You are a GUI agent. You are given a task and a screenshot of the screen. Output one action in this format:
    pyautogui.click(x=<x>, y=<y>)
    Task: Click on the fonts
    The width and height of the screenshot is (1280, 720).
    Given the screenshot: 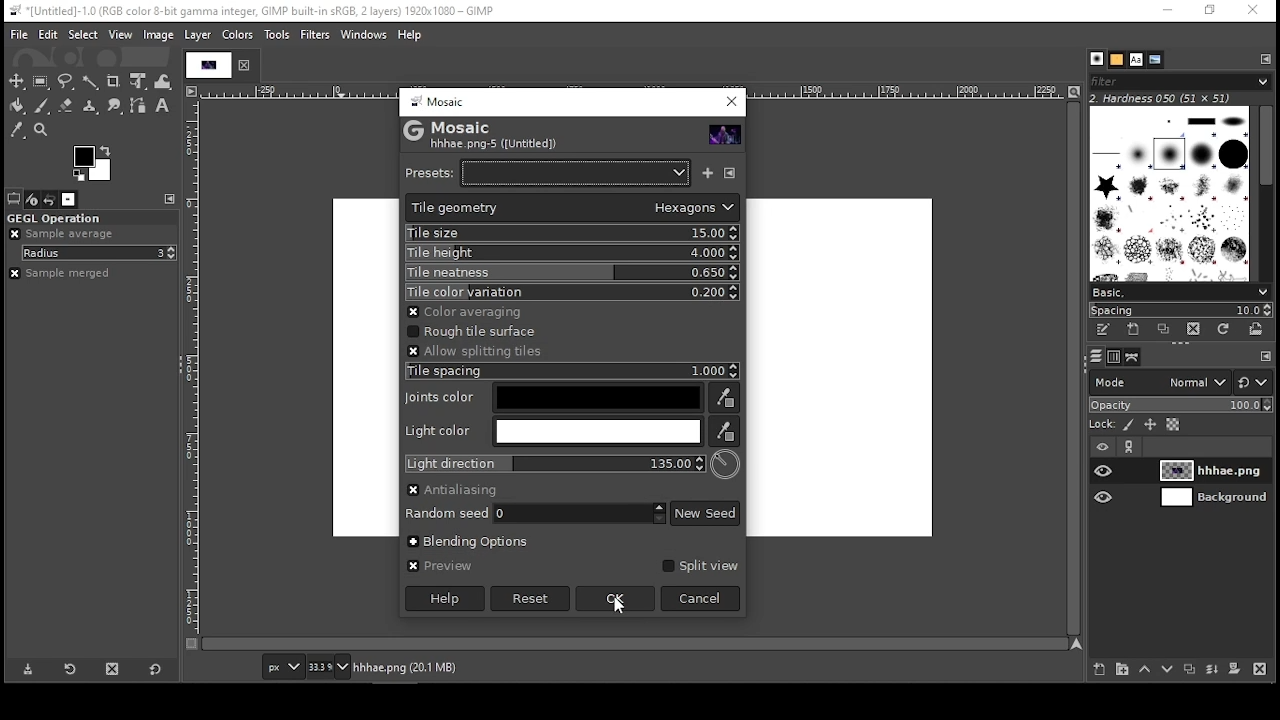 What is the action you would take?
    pyautogui.click(x=1135, y=59)
    